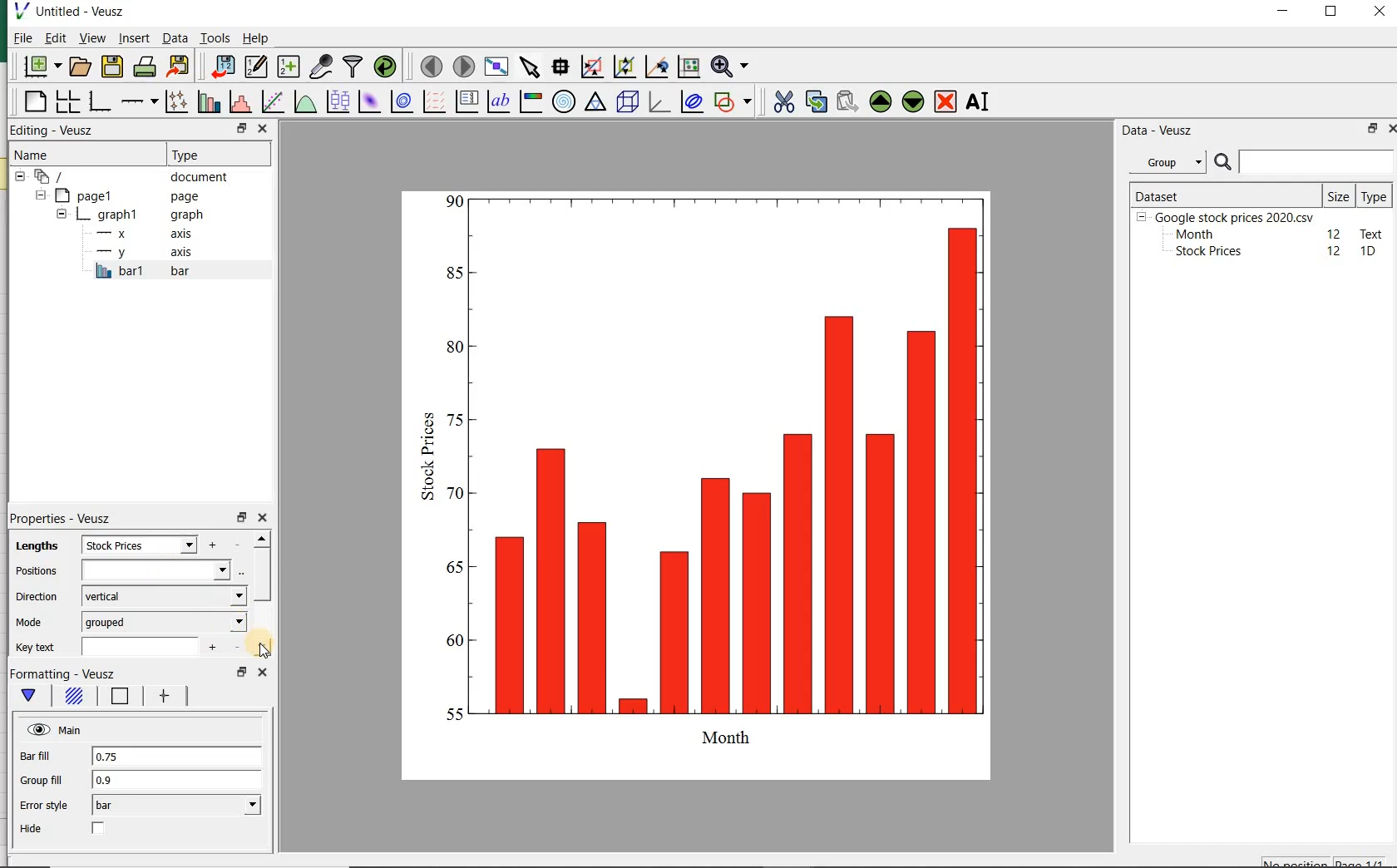 The width and height of the screenshot is (1397, 868). What do you see at coordinates (129, 177) in the screenshot?
I see `document` at bounding box center [129, 177].